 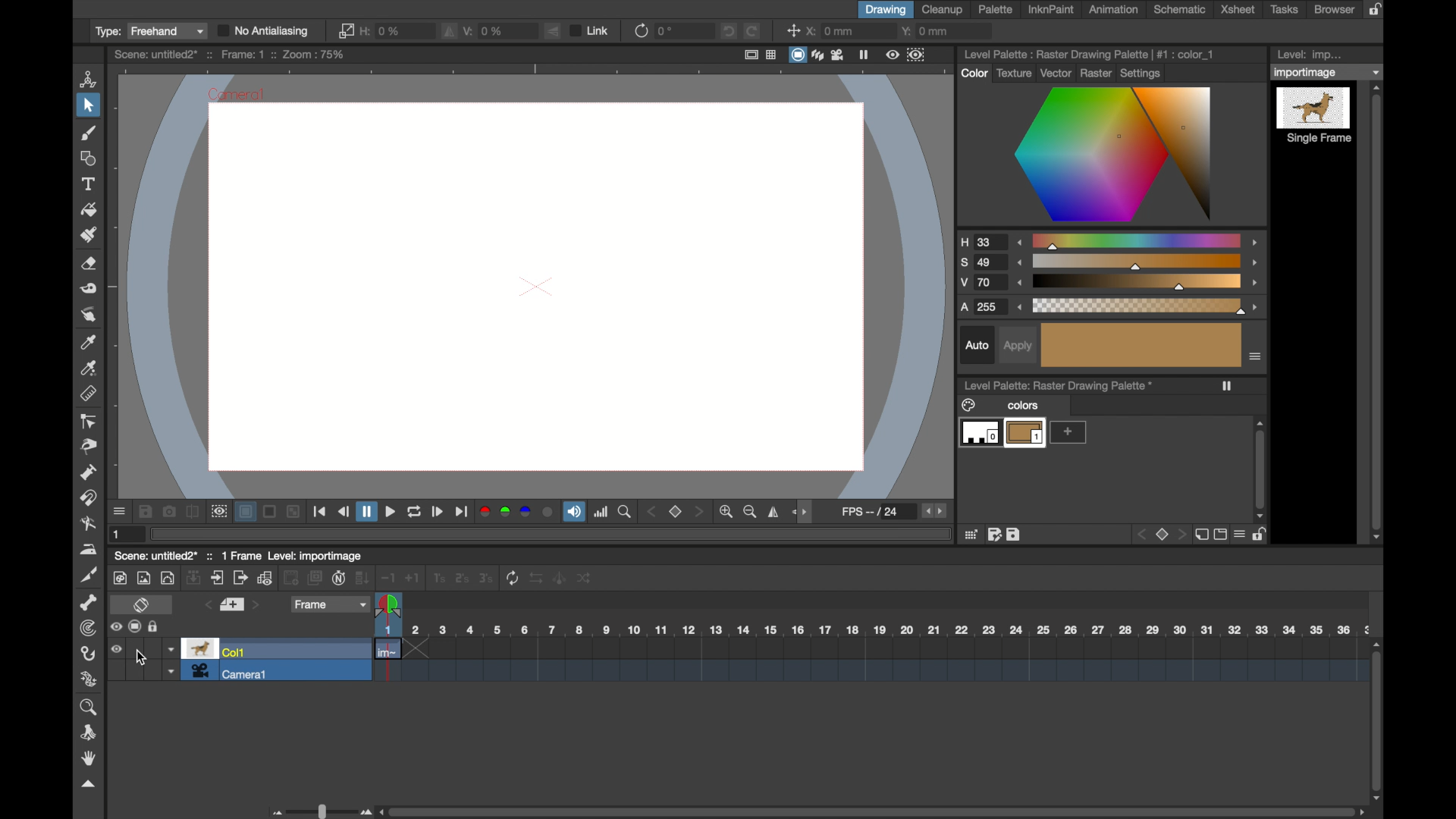 I want to click on front, so click(x=699, y=512).